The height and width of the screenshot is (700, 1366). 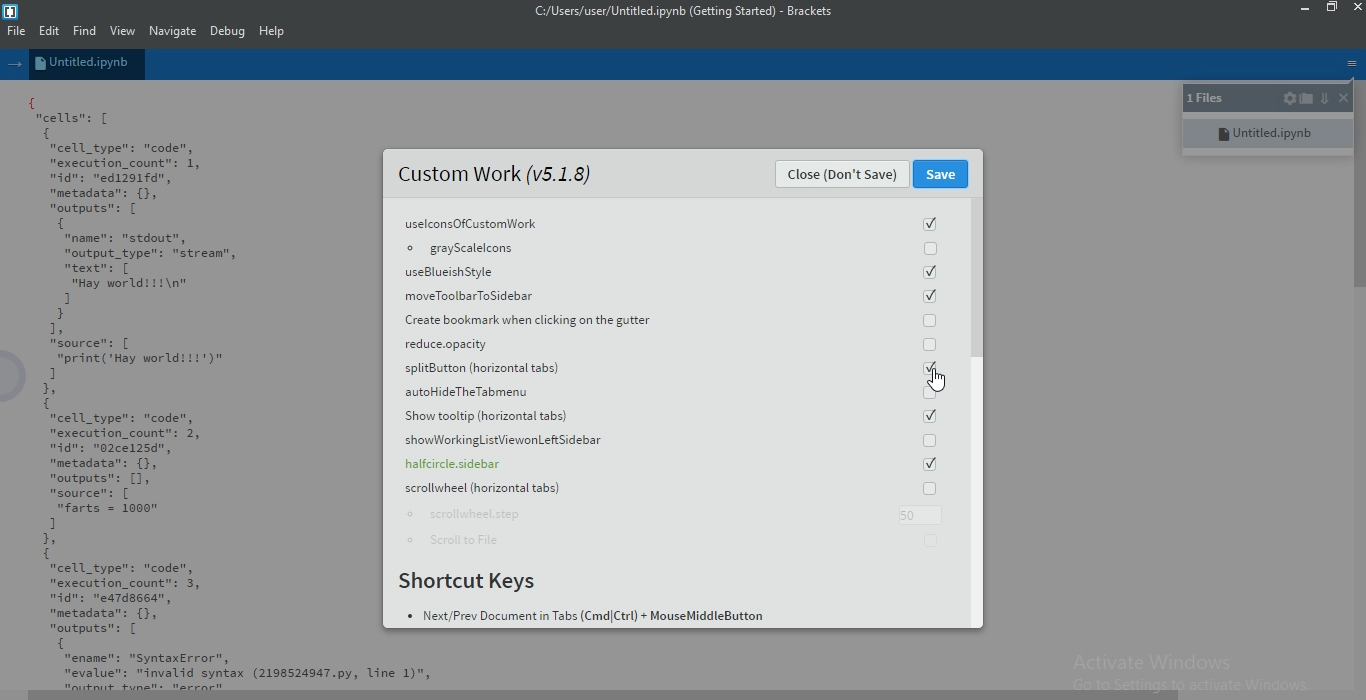 What do you see at coordinates (1349, 62) in the screenshot?
I see `menu` at bounding box center [1349, 62].